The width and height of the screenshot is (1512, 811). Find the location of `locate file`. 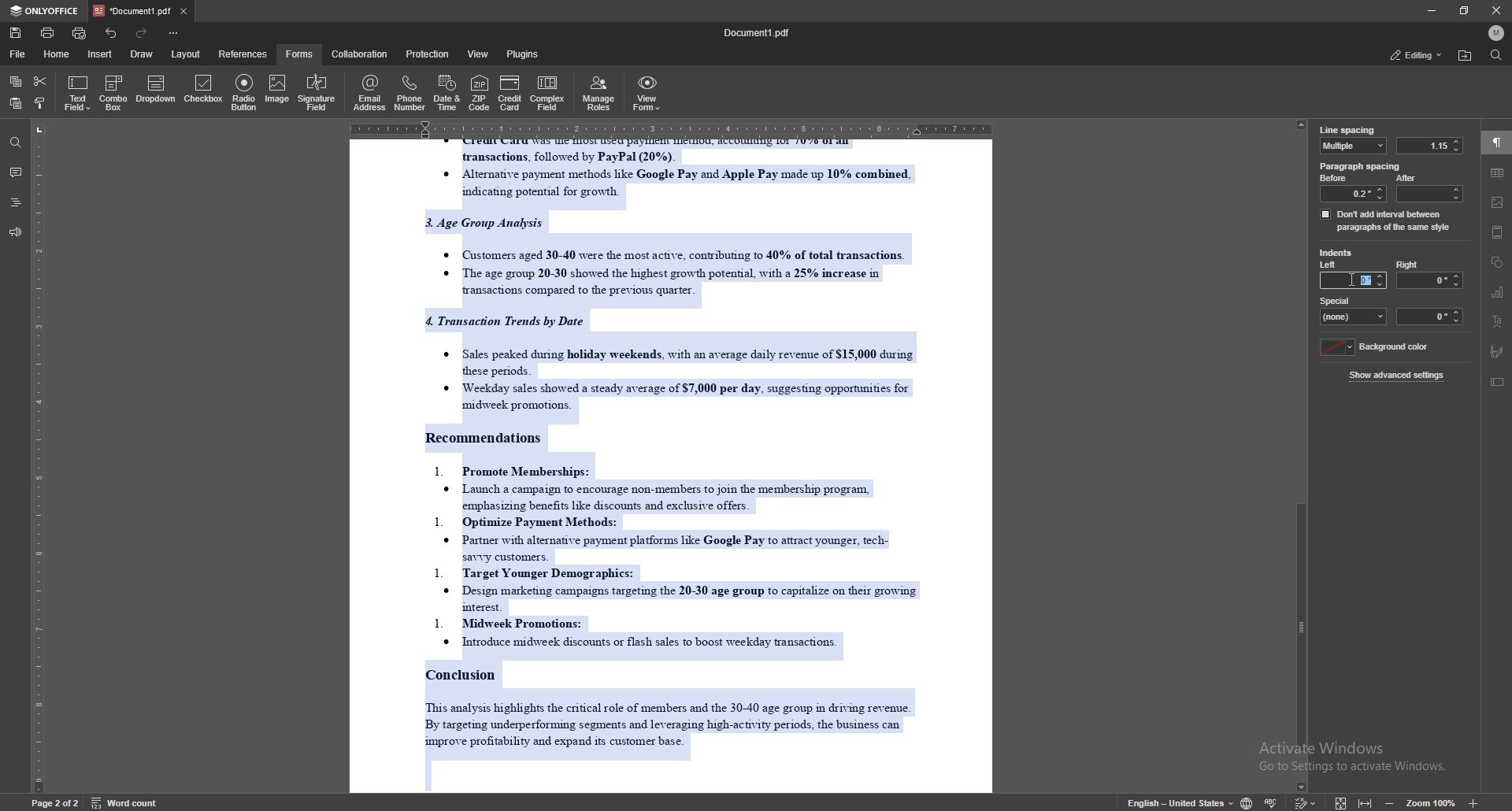

locate file is located at coordinates (1465, 56).